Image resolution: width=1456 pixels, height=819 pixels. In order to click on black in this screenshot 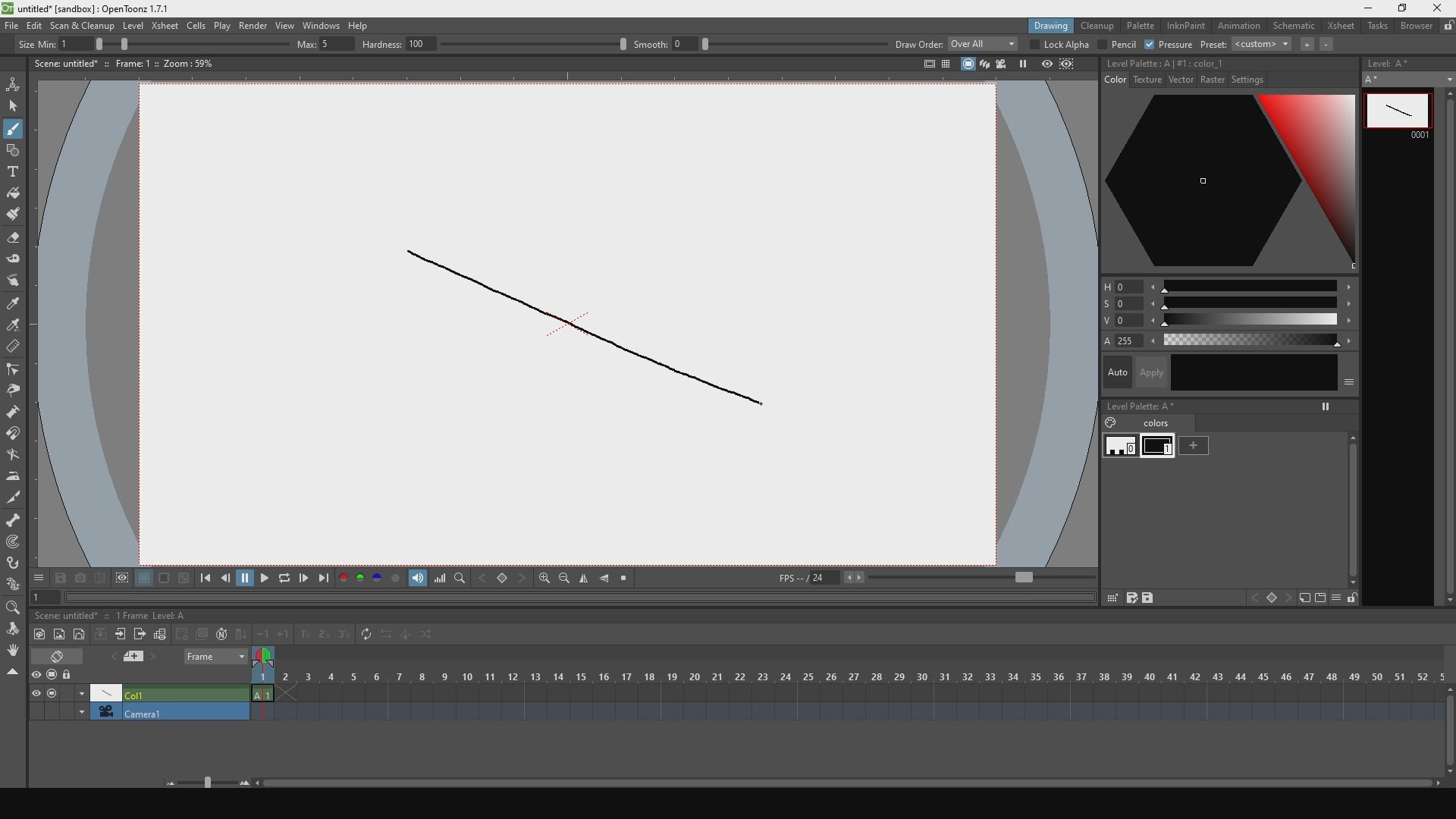, I will do `click(1159, 448)`.